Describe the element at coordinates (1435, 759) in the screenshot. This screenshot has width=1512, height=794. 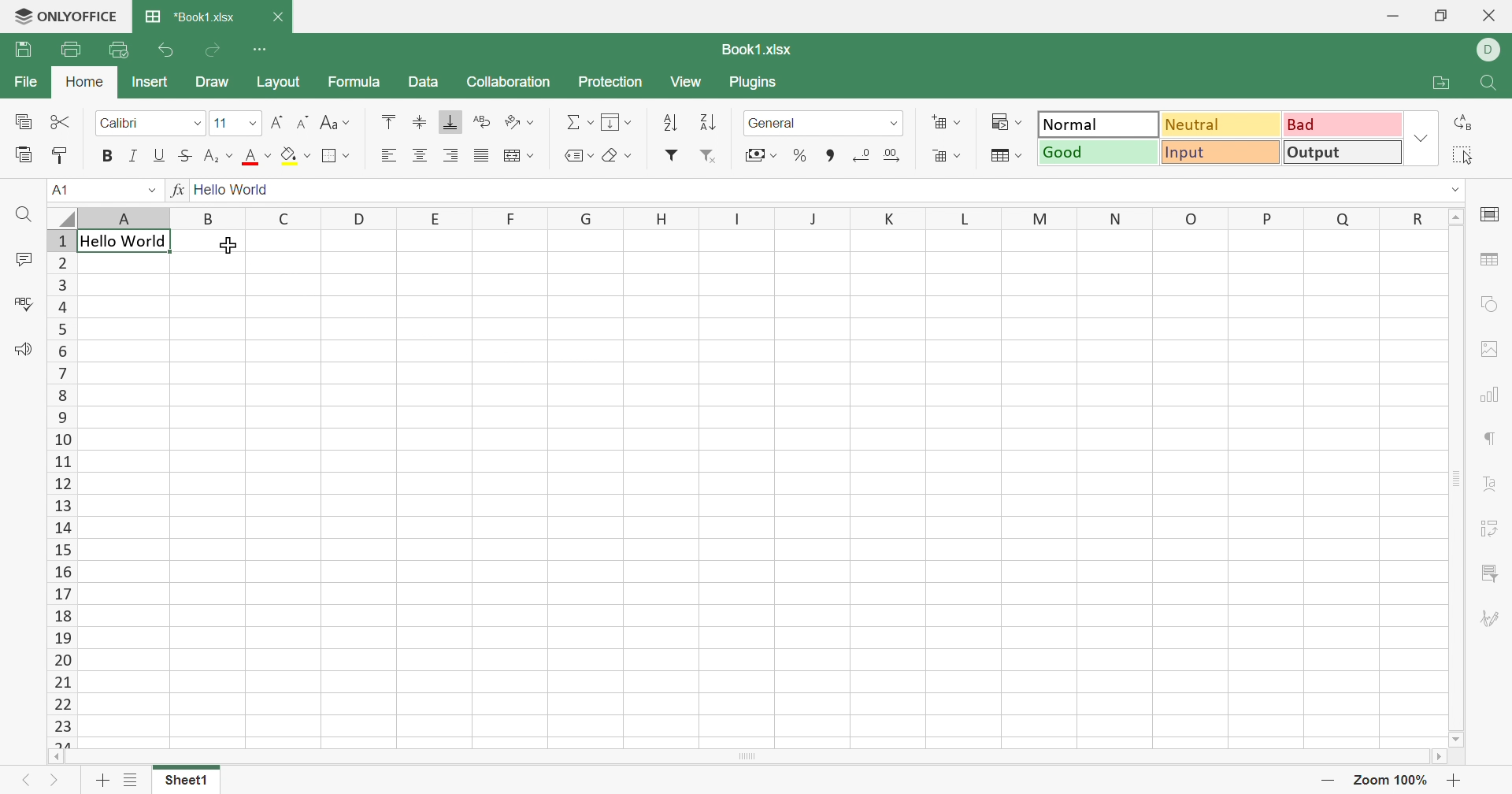
I see `Scroll Right` at that location.